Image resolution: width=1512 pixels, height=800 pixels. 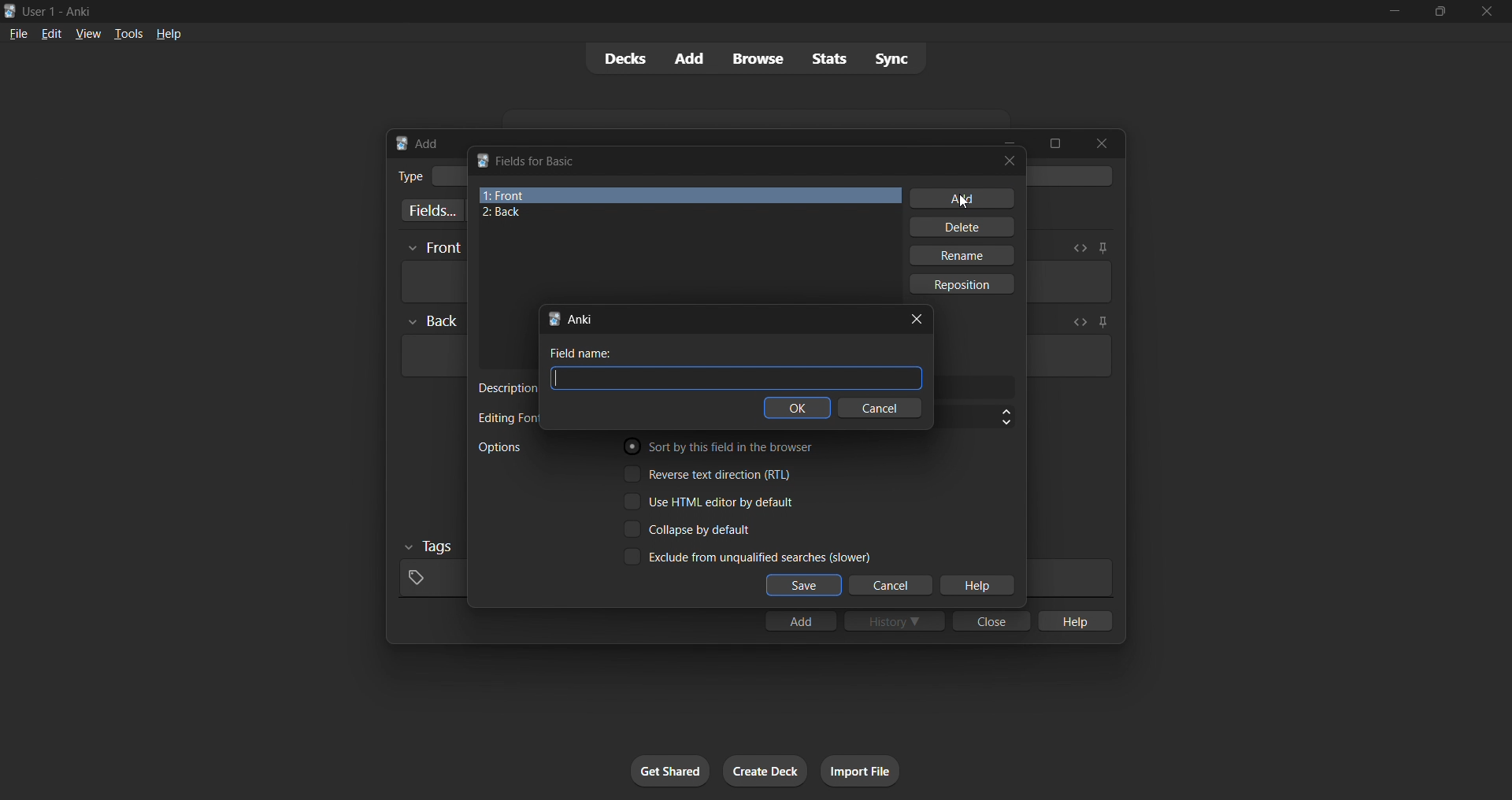 What do you see at coordinates (52, 33) in the screenshot?
I see `edit` at bounding box center [52, 33].